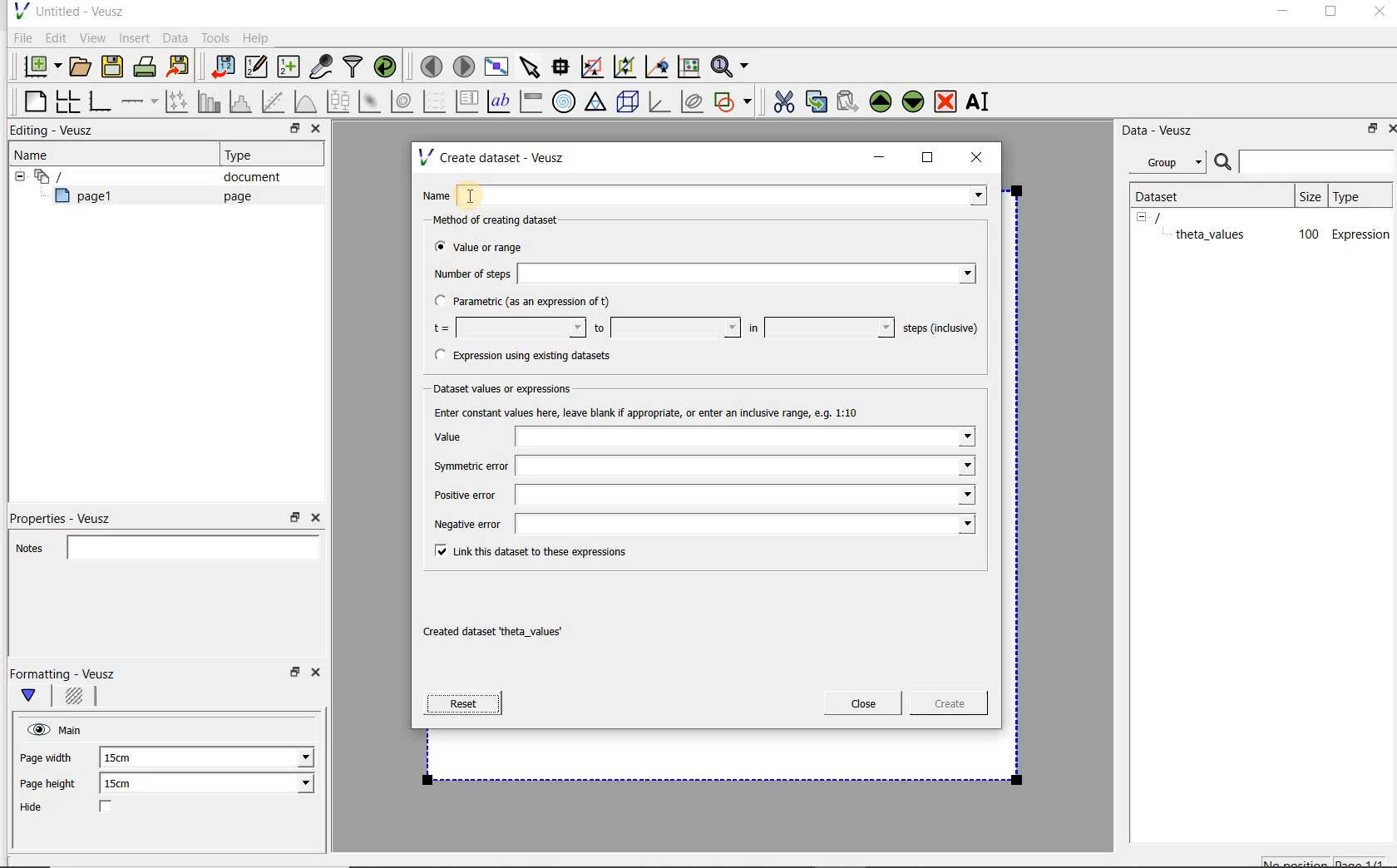  I want to click on reload linked datasets, so click(388, 67).